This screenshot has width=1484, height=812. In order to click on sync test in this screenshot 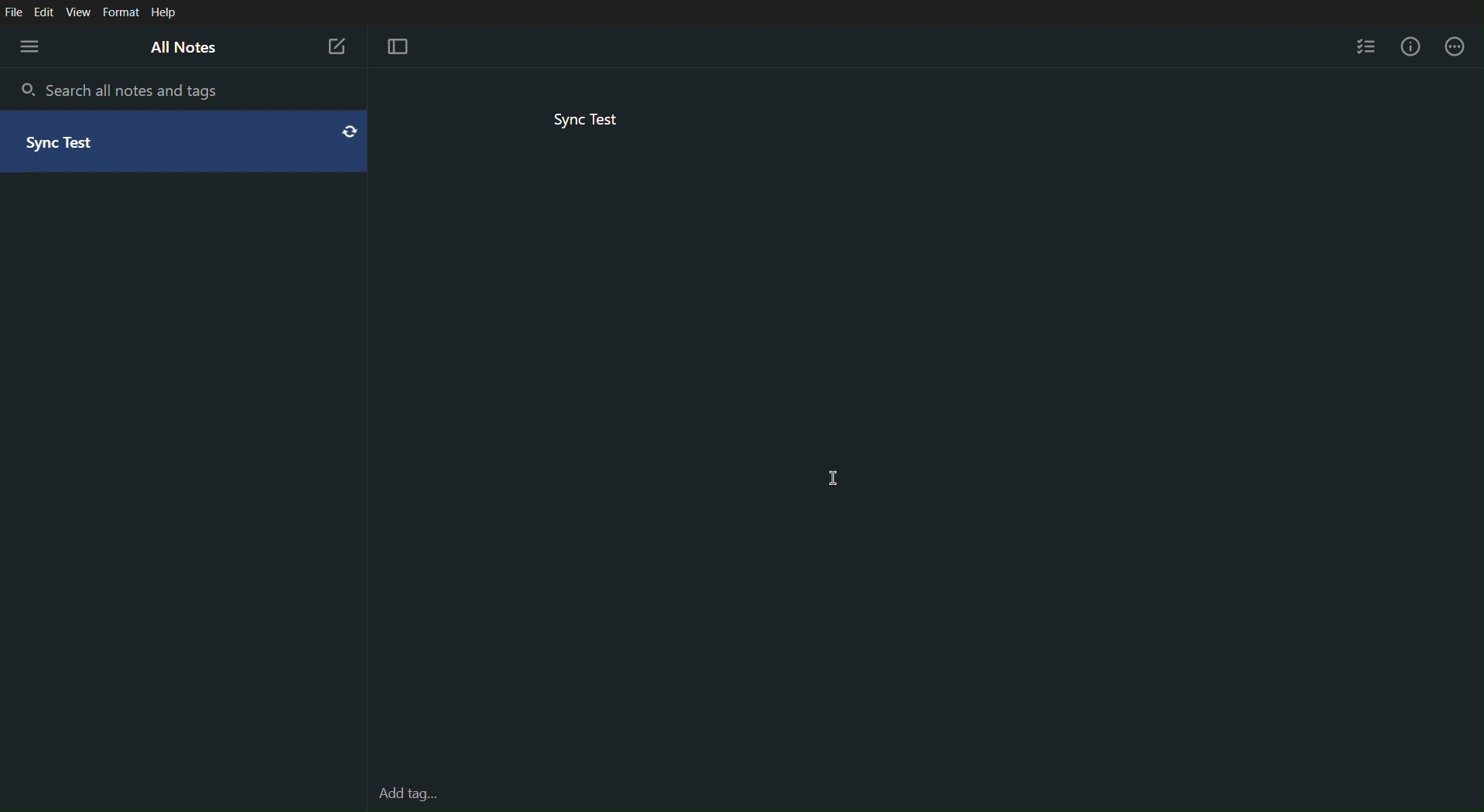, I will do `click(76, 145)`.